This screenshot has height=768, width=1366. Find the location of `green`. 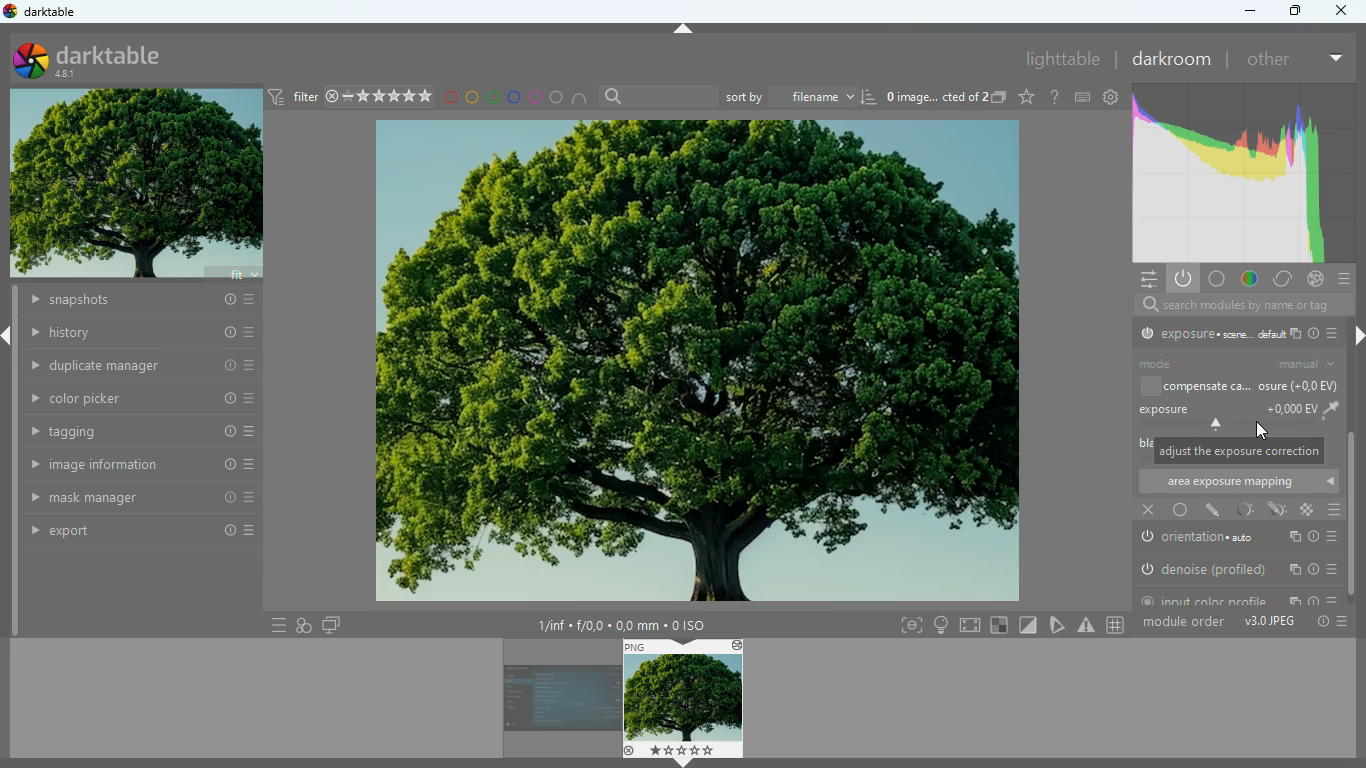

green is located at coordinates (493, 99).